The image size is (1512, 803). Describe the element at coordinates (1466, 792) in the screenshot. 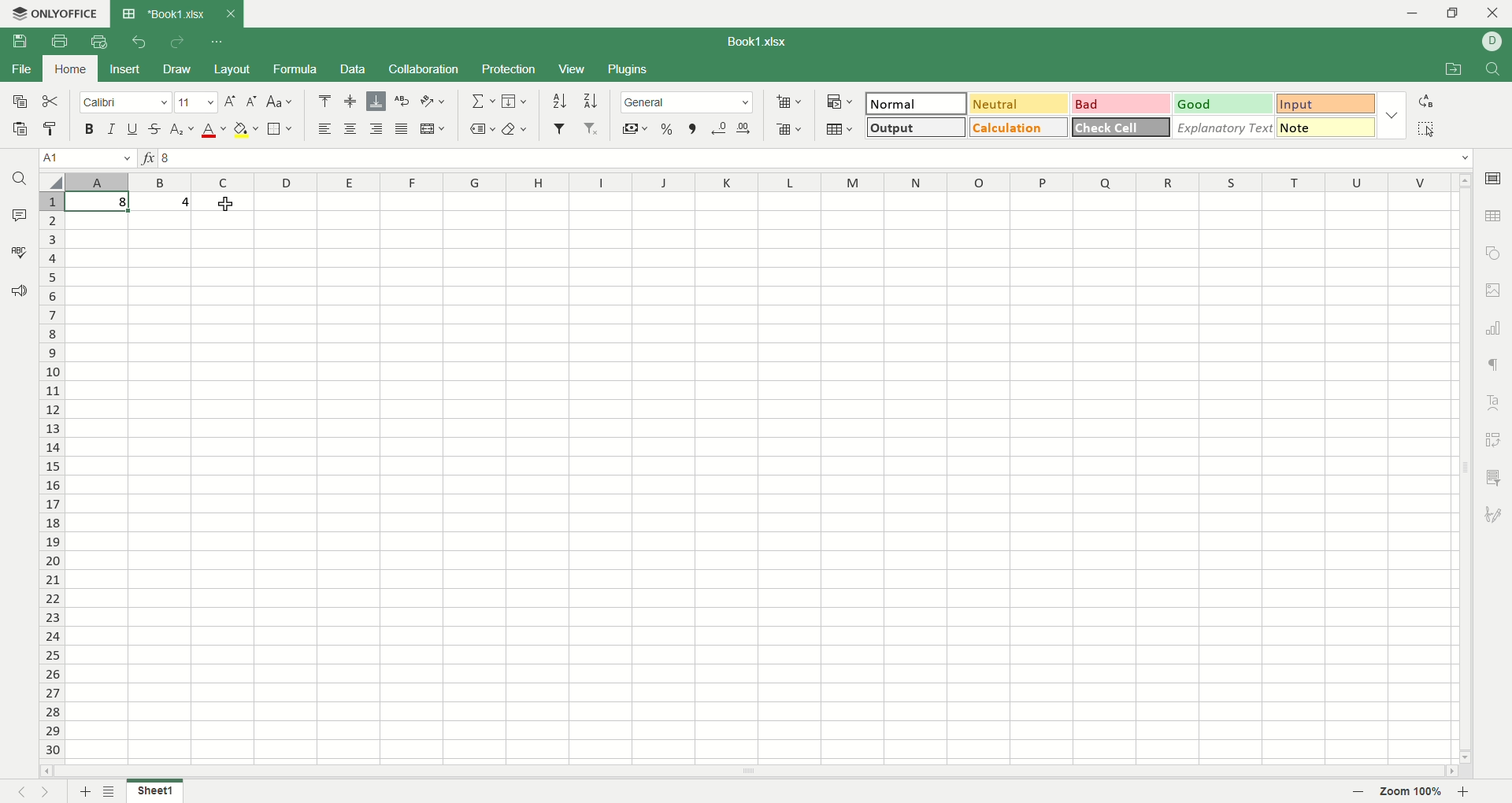

I see `zoom in` at that location.